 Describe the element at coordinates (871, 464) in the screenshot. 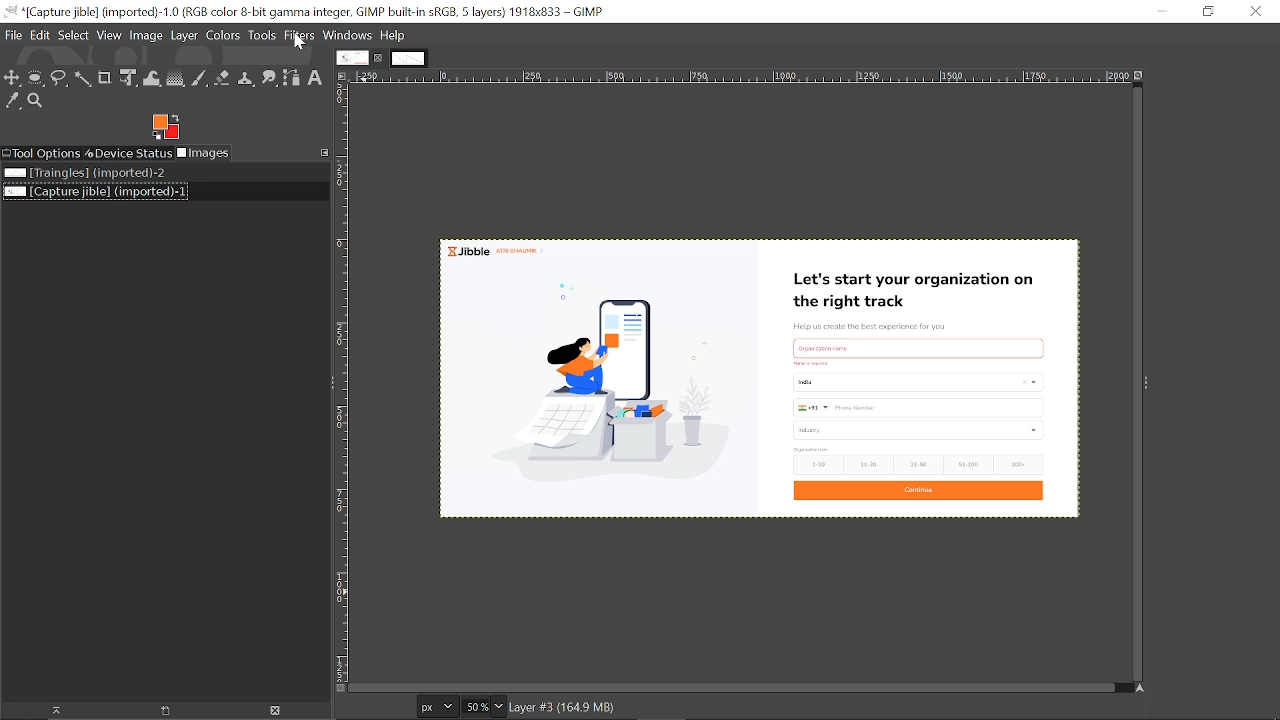

I see `11-20` at that location.